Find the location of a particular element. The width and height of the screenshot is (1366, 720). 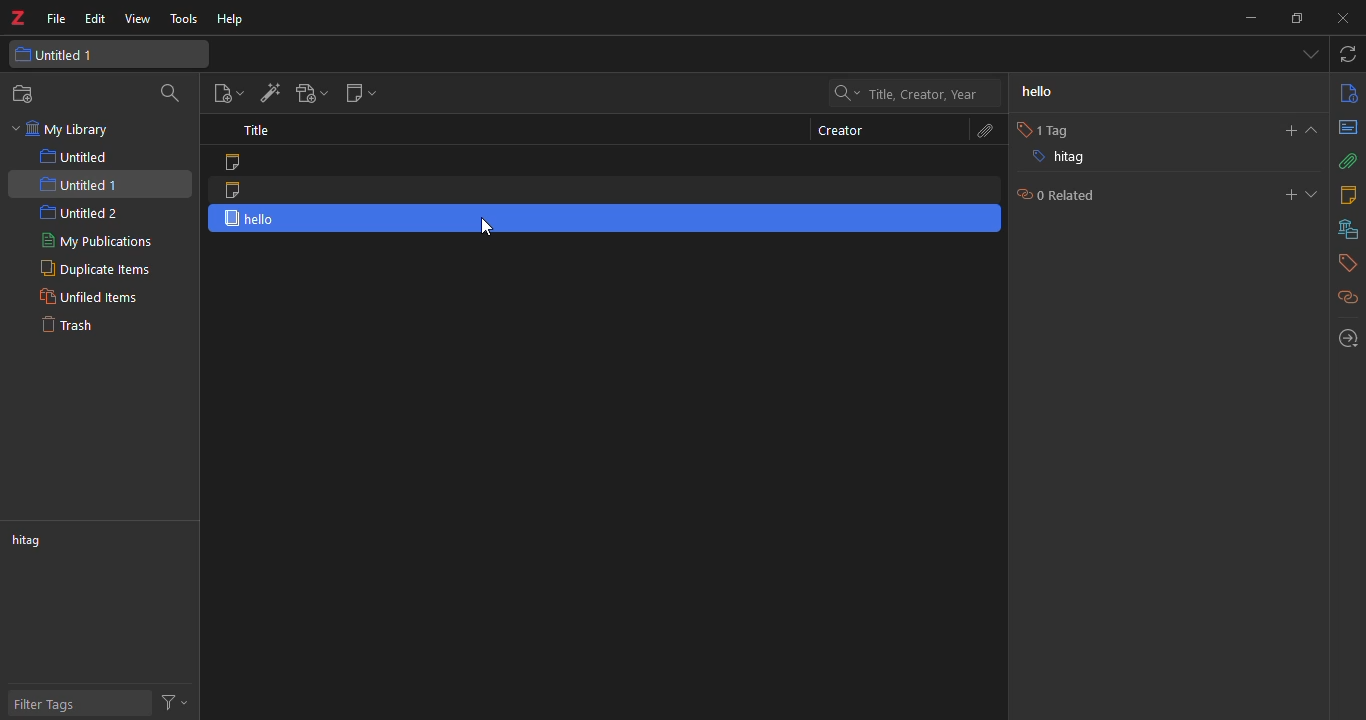

hitag is located at coordinates (1056, 160).